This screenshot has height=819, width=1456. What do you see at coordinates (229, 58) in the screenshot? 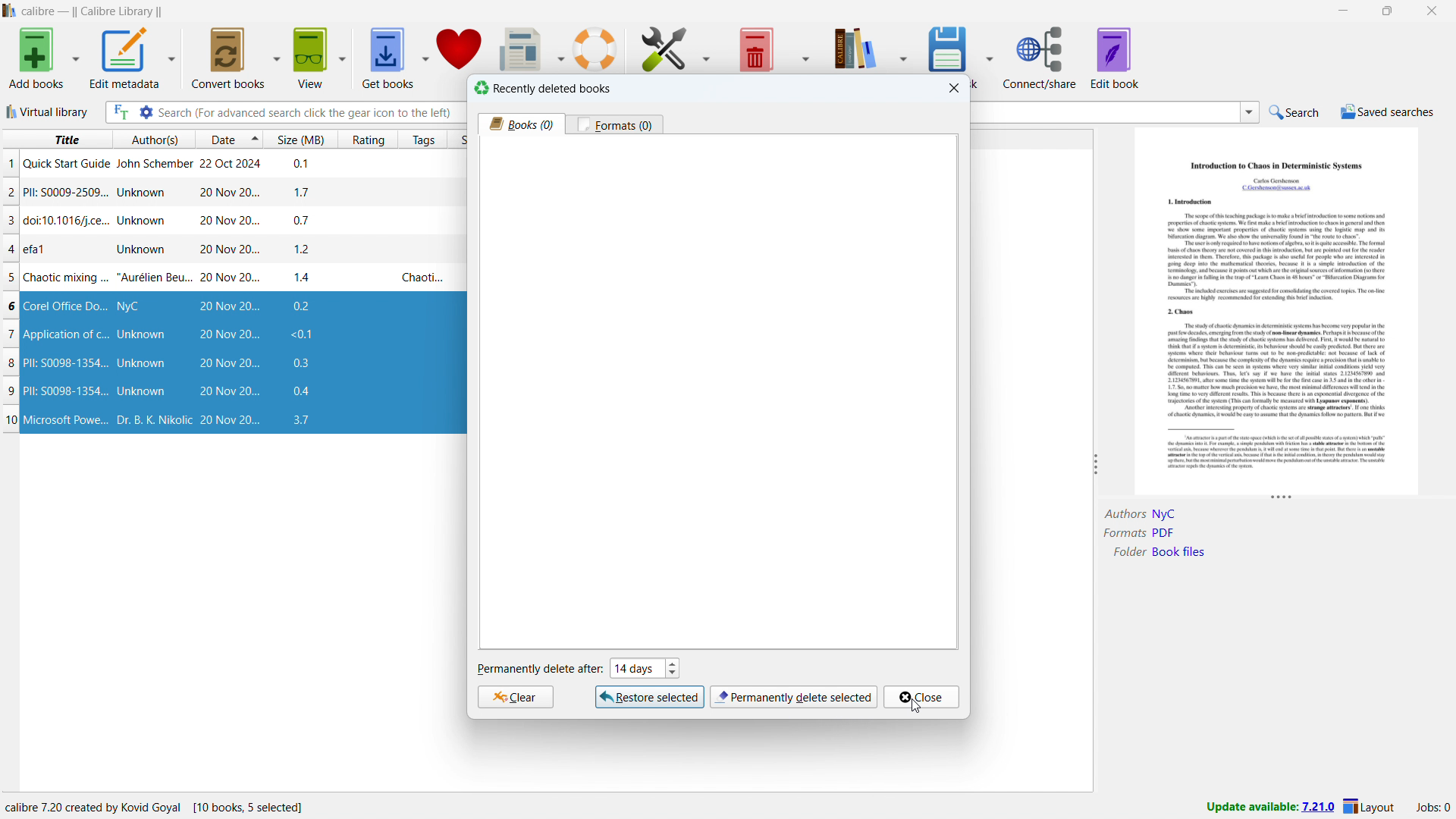
I see `convert books` at bounding box center [229, 58].